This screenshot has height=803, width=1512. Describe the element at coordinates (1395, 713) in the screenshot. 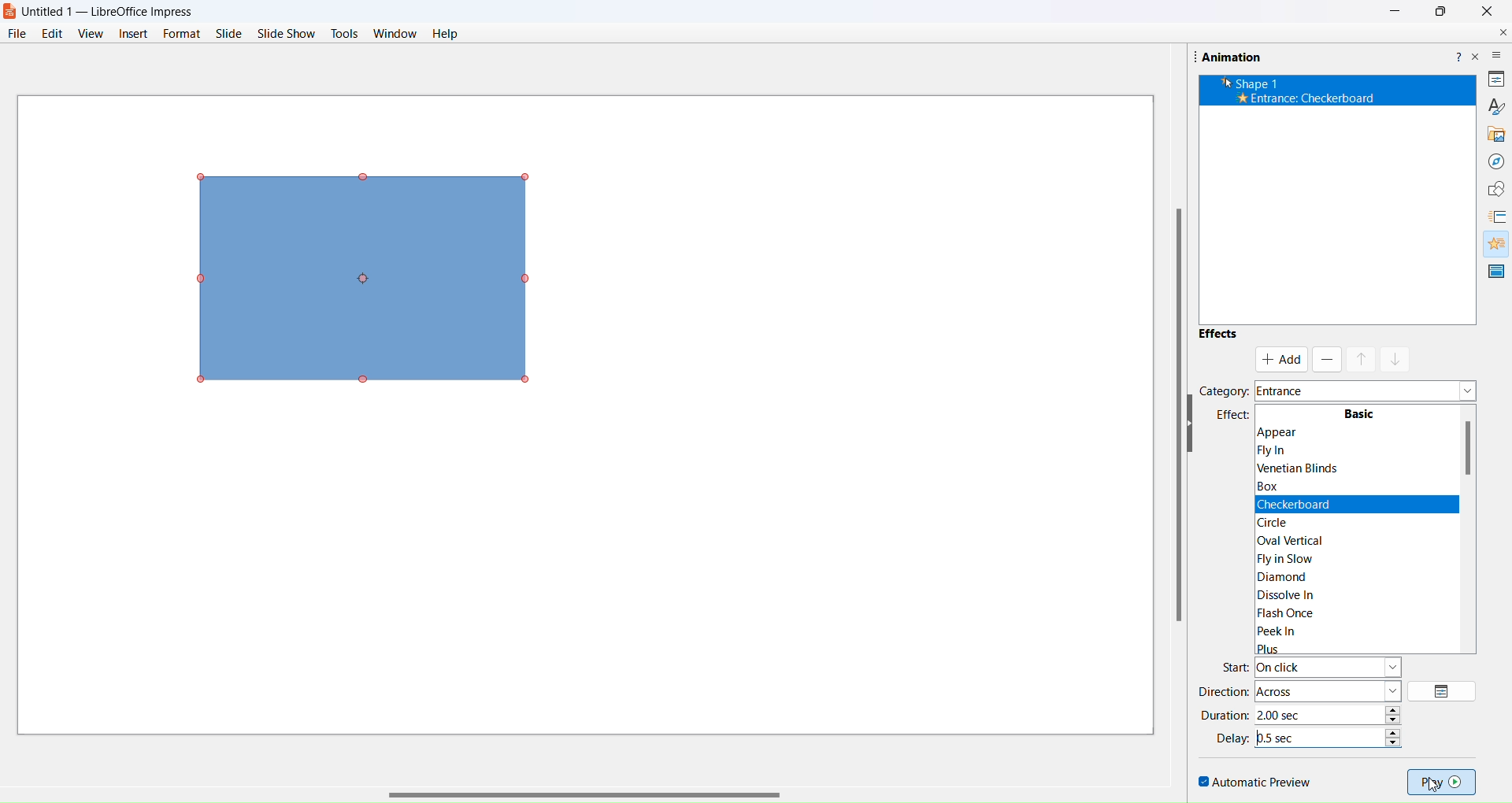

I see `increase/decrease` at that location.